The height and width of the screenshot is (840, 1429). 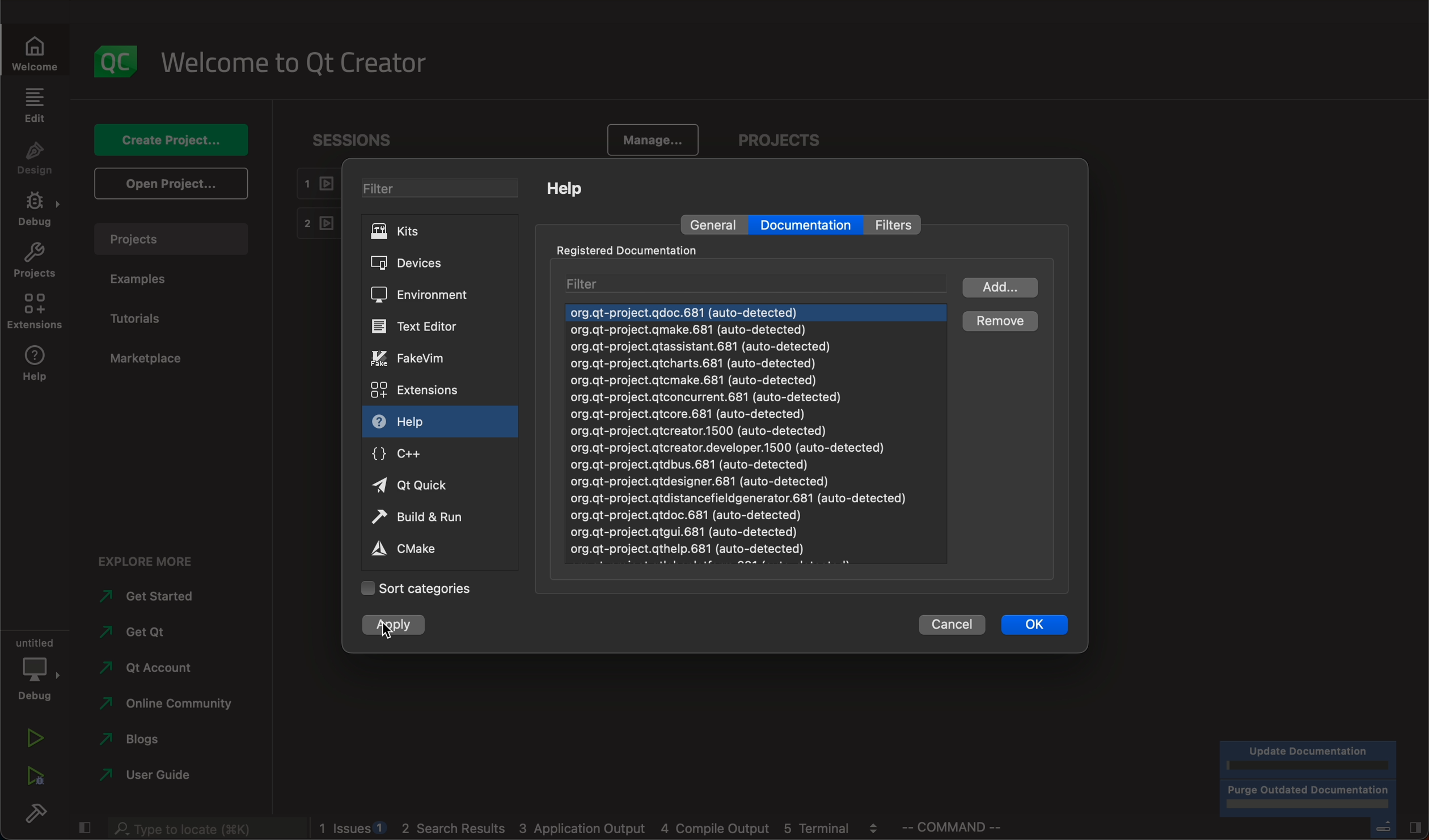 I want to click on logo, so click(x=112, y=63).